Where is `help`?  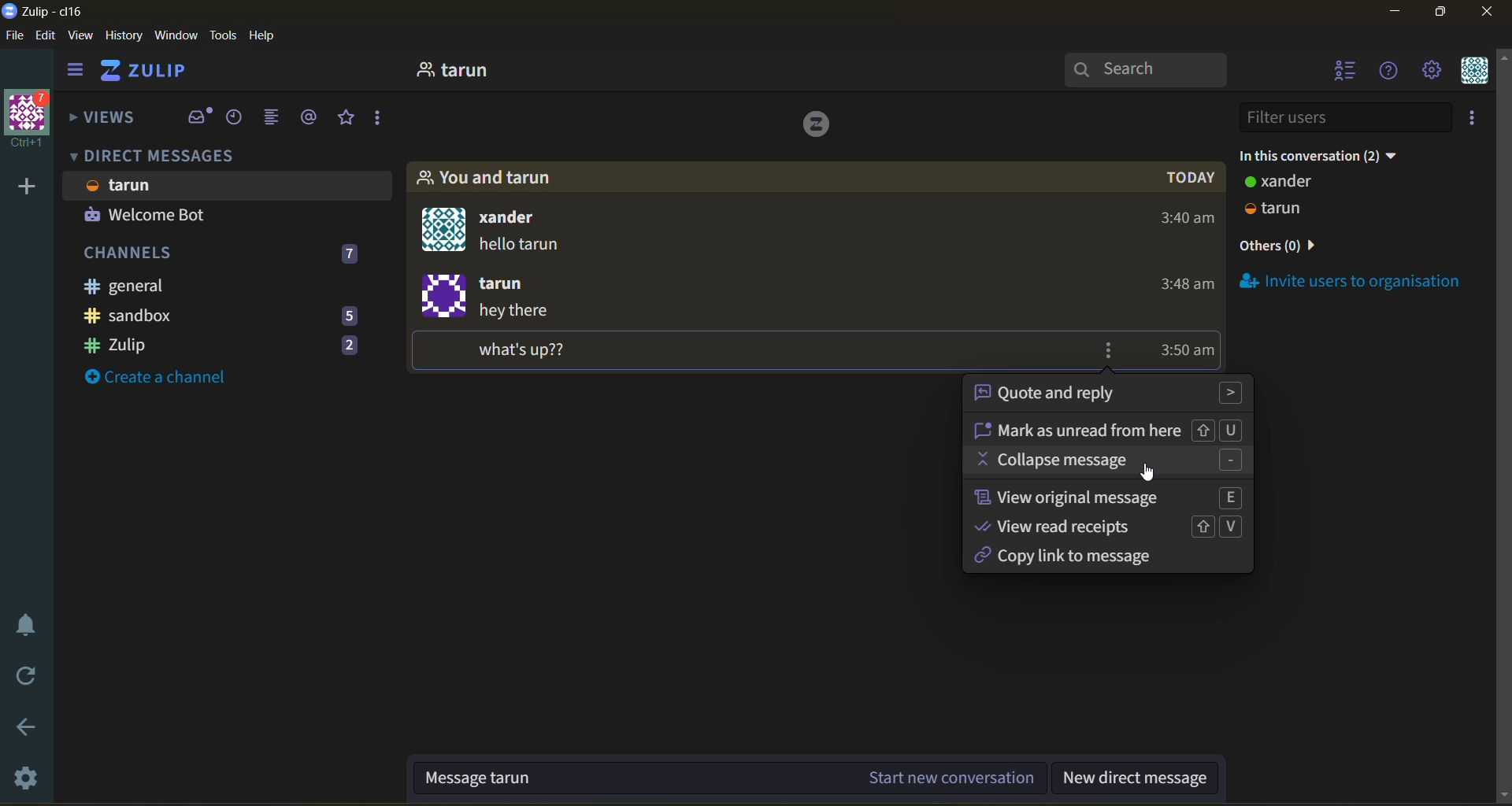
help is located at coordinates (268, 38).